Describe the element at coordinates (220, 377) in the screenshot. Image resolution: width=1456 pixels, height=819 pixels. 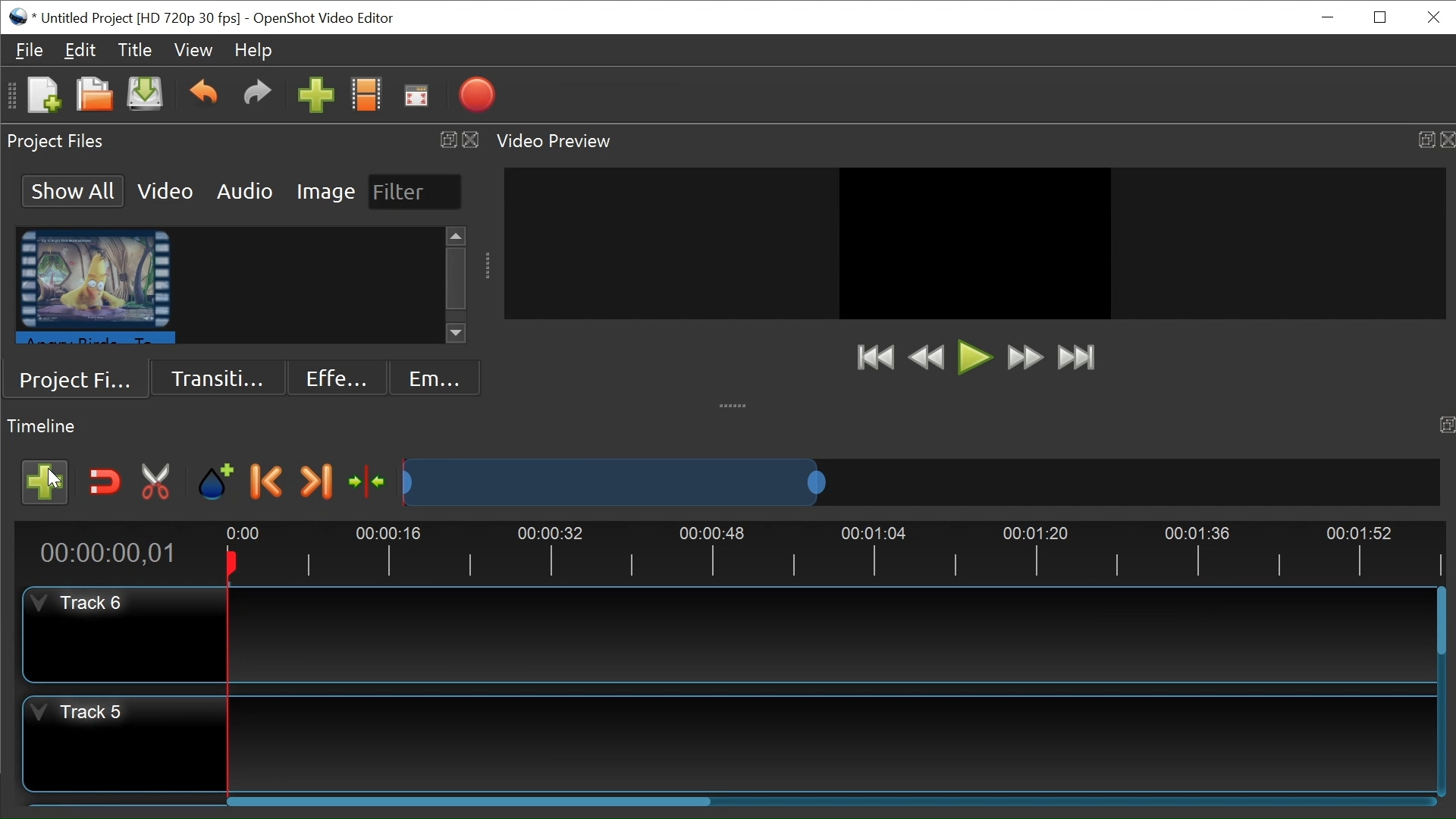
I see `Transition` at that location.